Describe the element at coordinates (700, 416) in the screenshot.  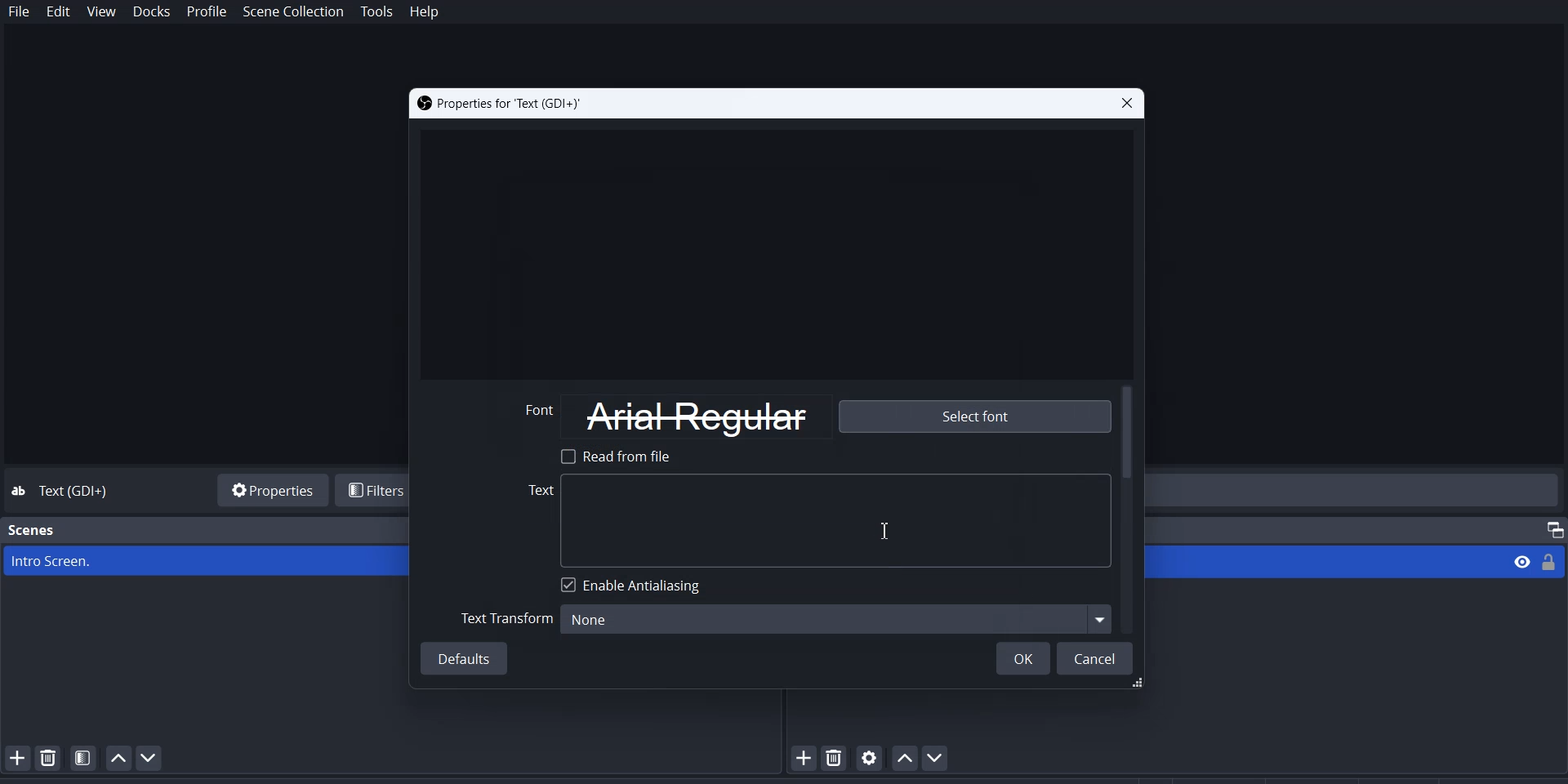
I see `Arial Regular` at that location.